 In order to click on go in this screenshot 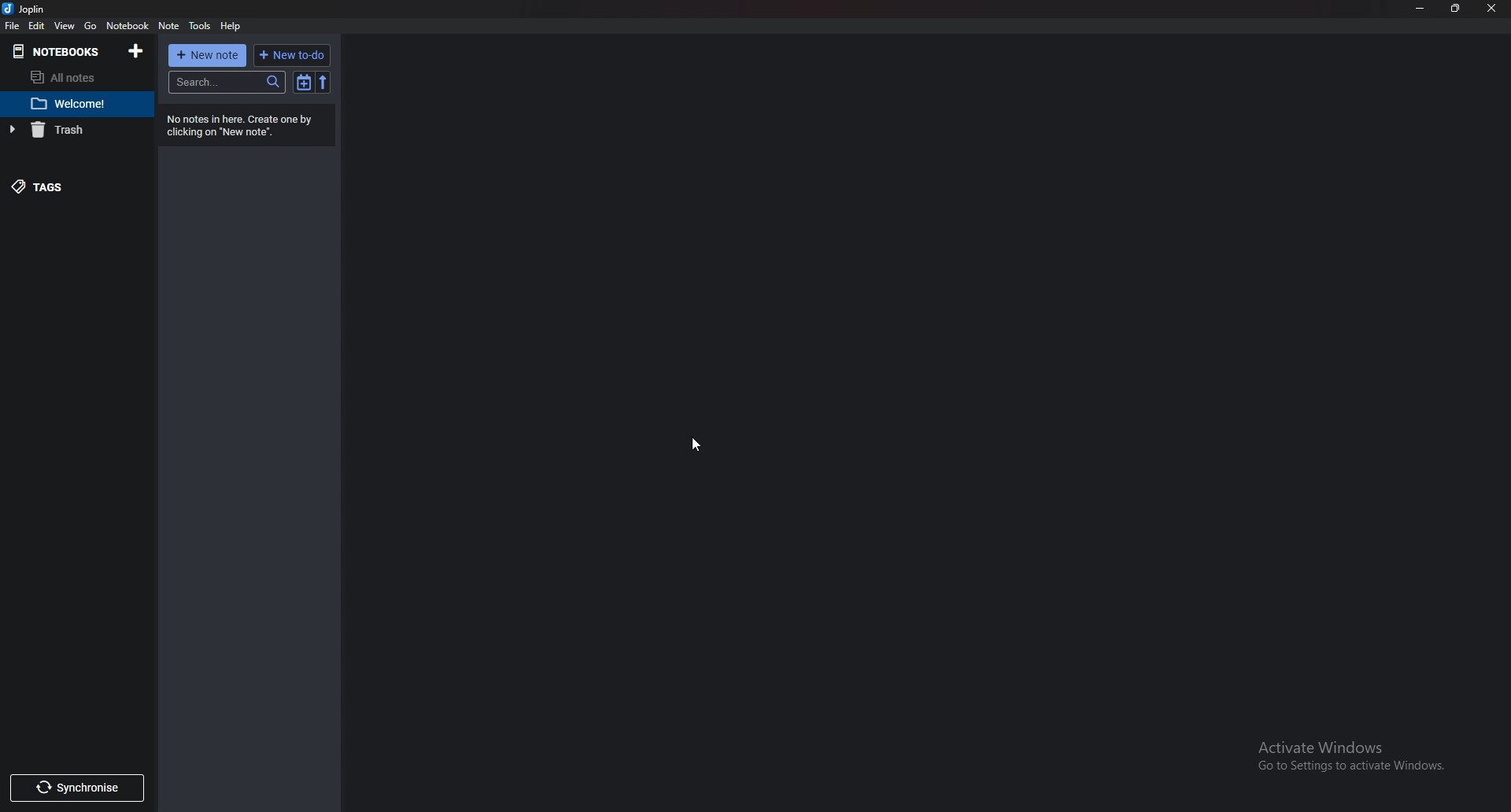, I will do `click(92, 26)`.